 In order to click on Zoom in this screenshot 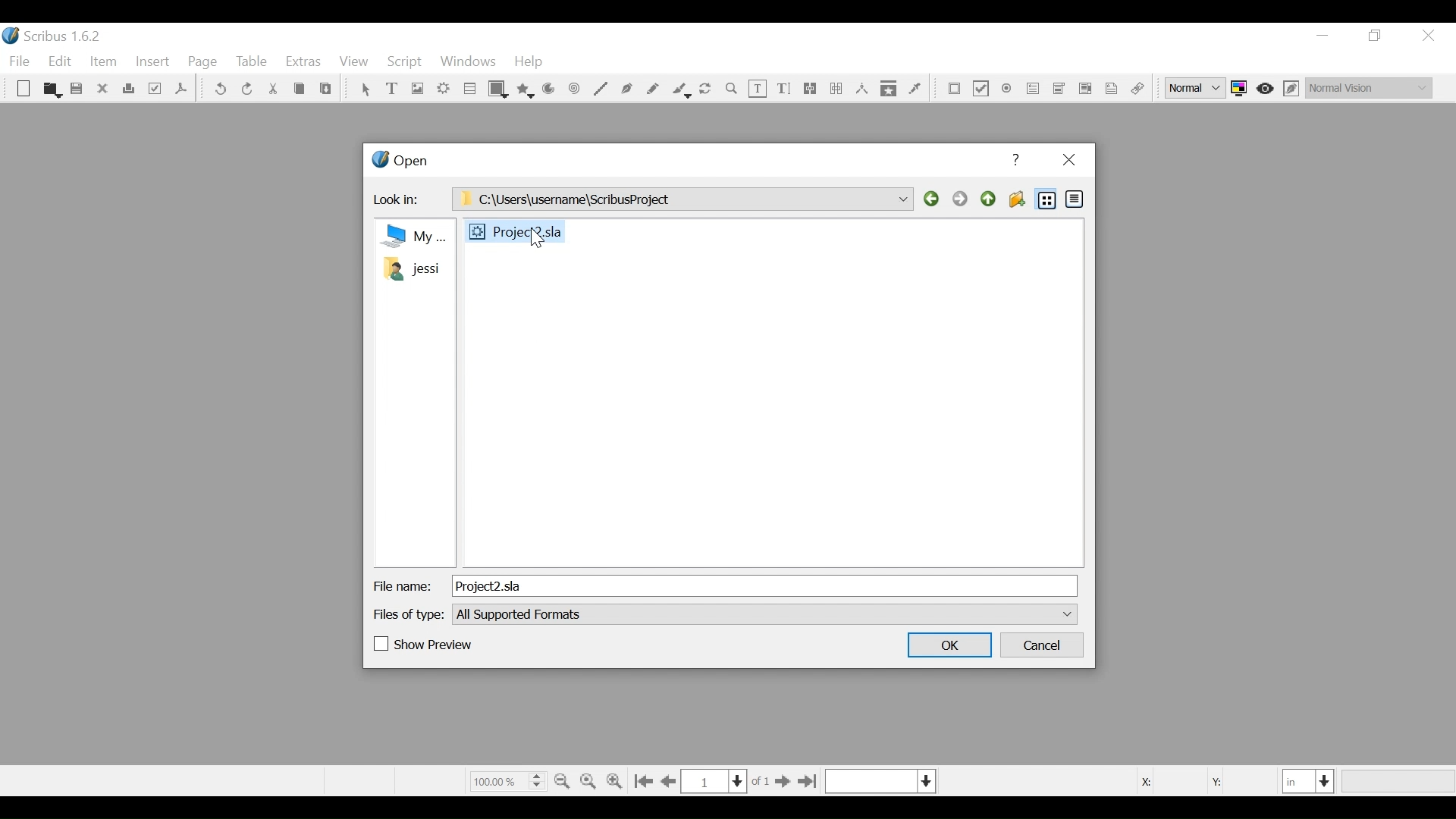, I will do `click(732, 89)`.